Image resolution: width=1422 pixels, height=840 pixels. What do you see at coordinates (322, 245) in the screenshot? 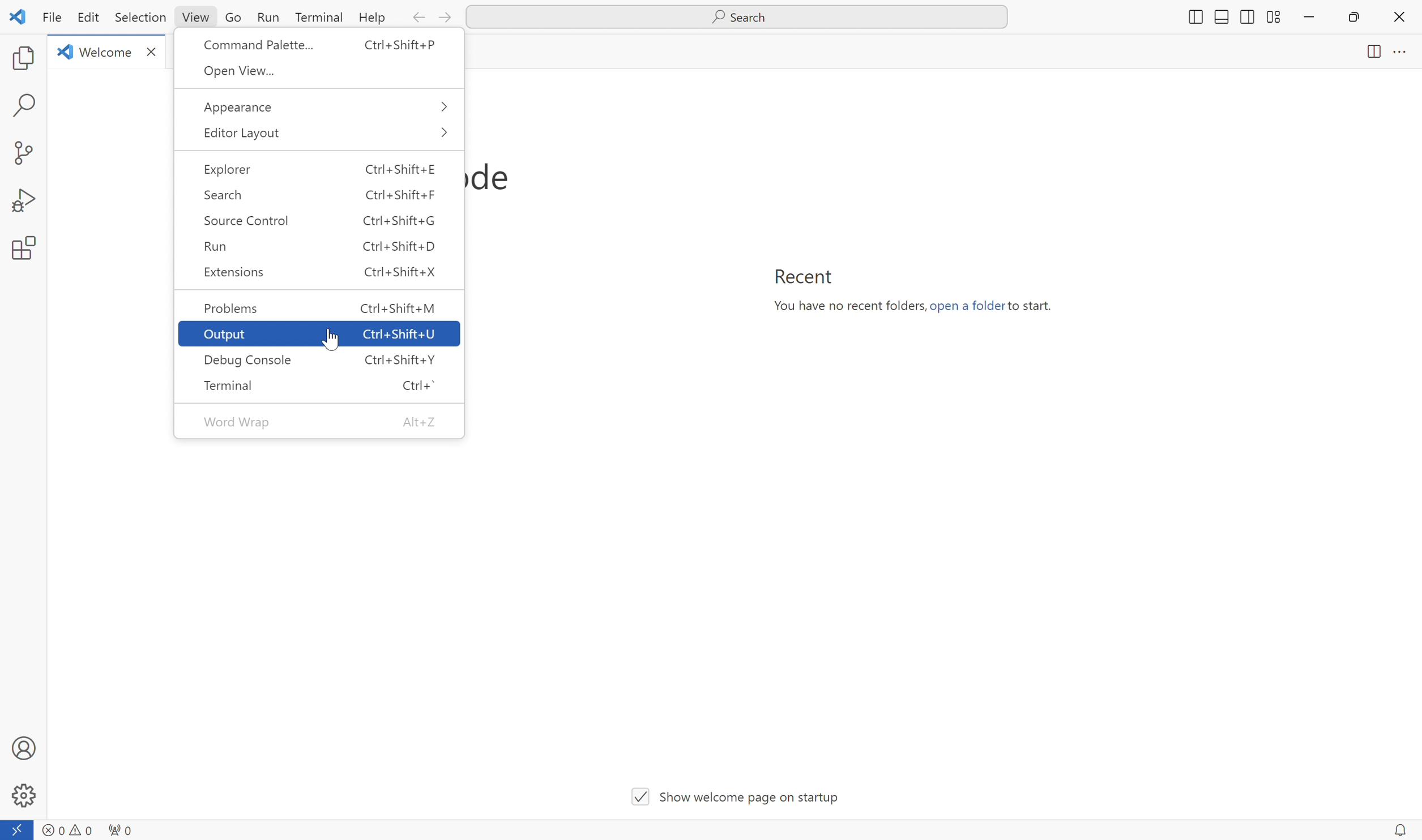
I see `Run` at bounding box center [322, 245].